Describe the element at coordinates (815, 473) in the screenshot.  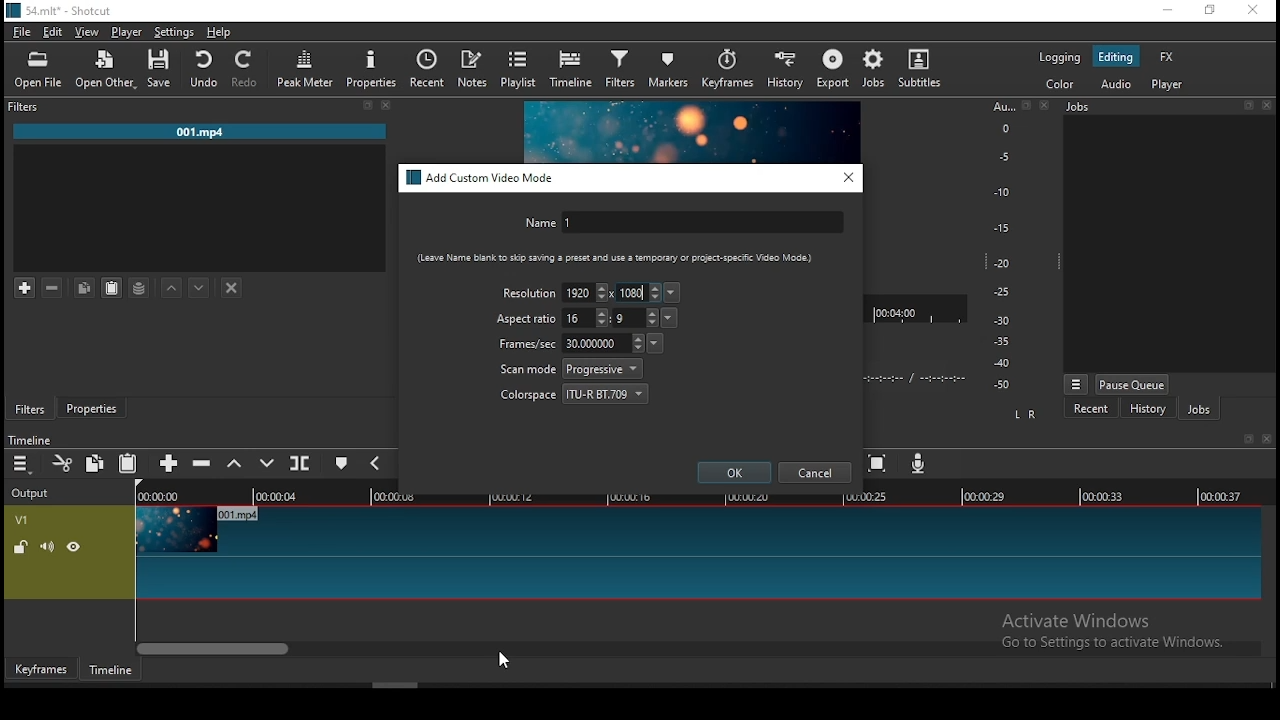
I see `cancel` at that location.